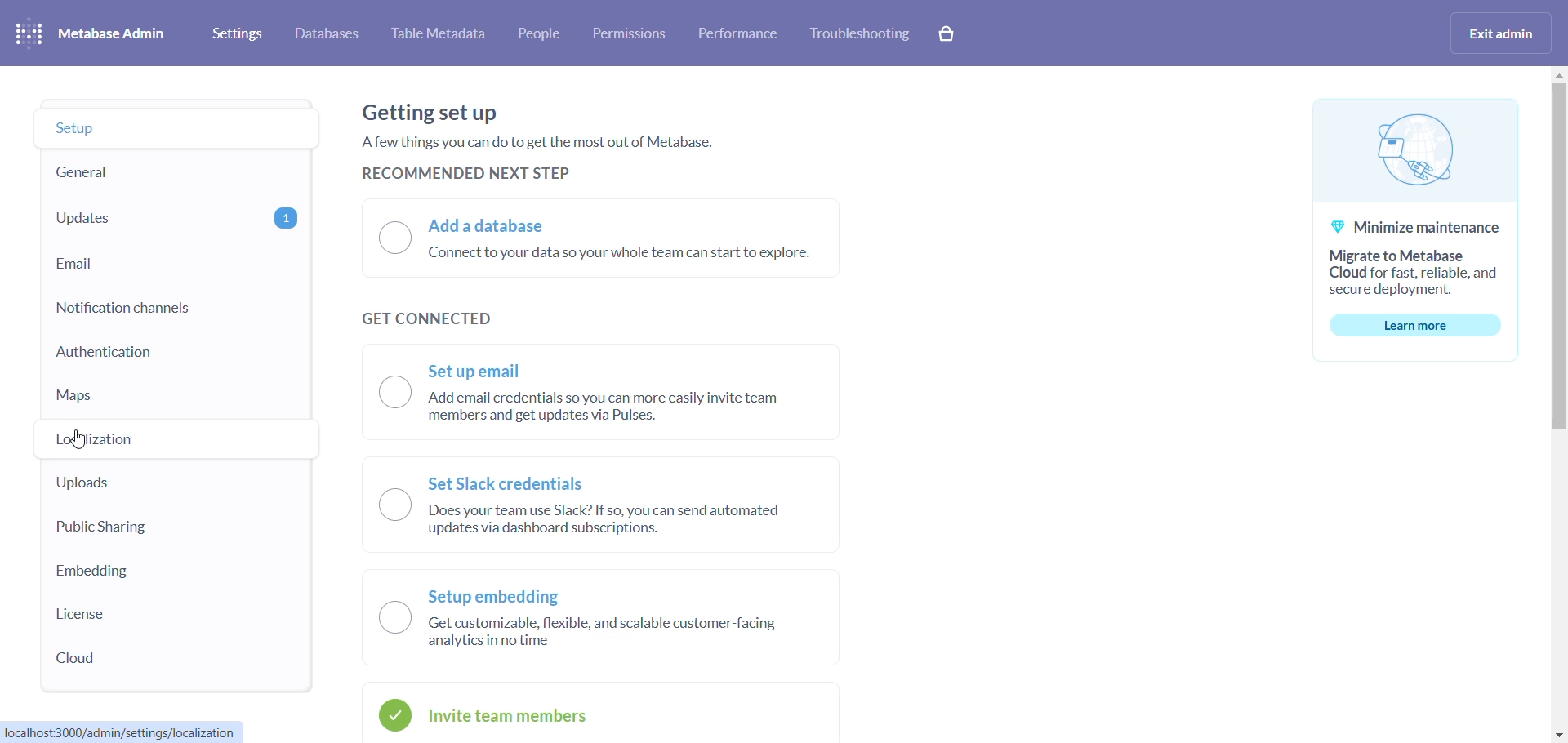 The height and width of the screenshot is (743, 1568). I want to click on public sharing, so click(153, 526).